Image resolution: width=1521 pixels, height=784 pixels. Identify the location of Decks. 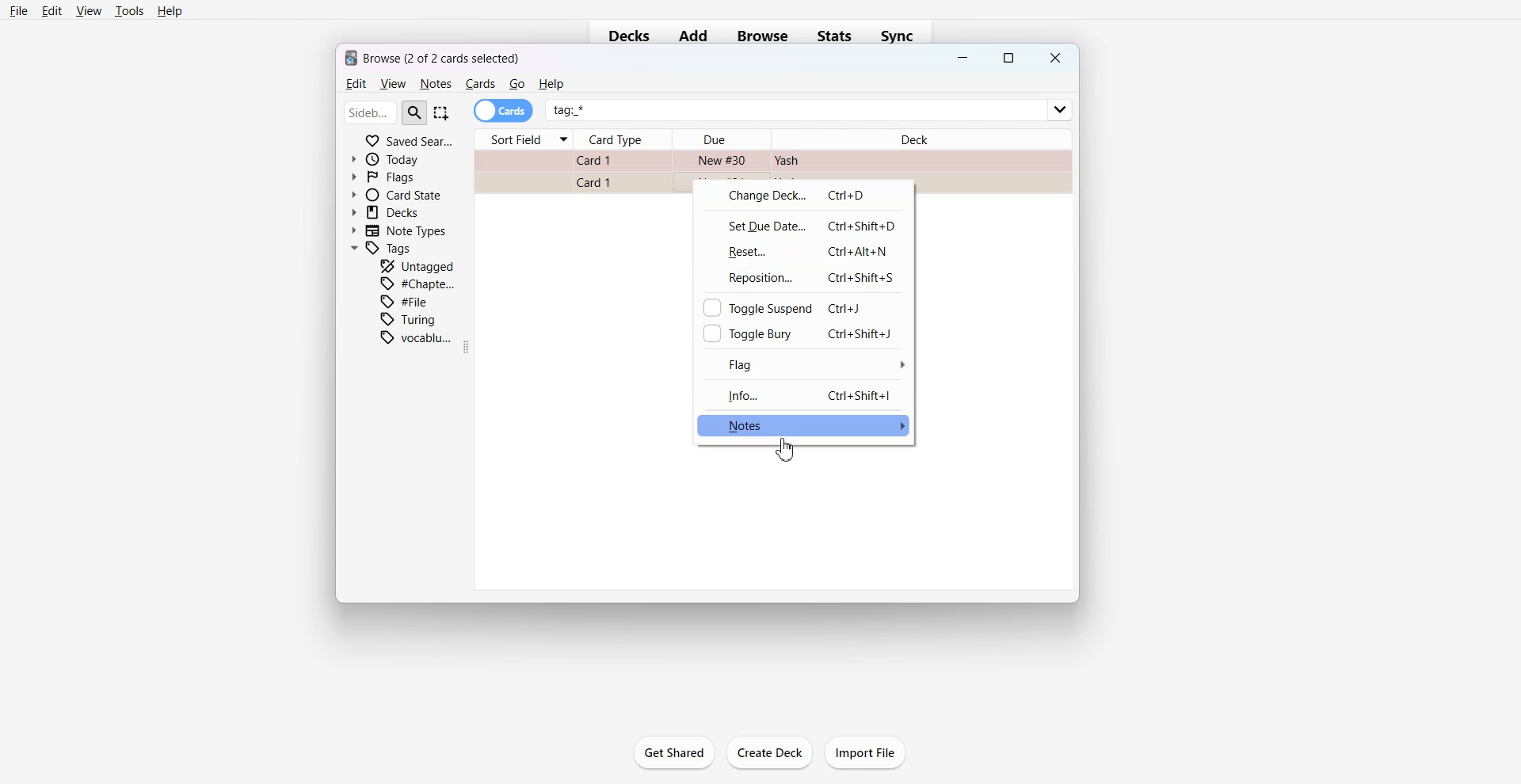
(387, 212).